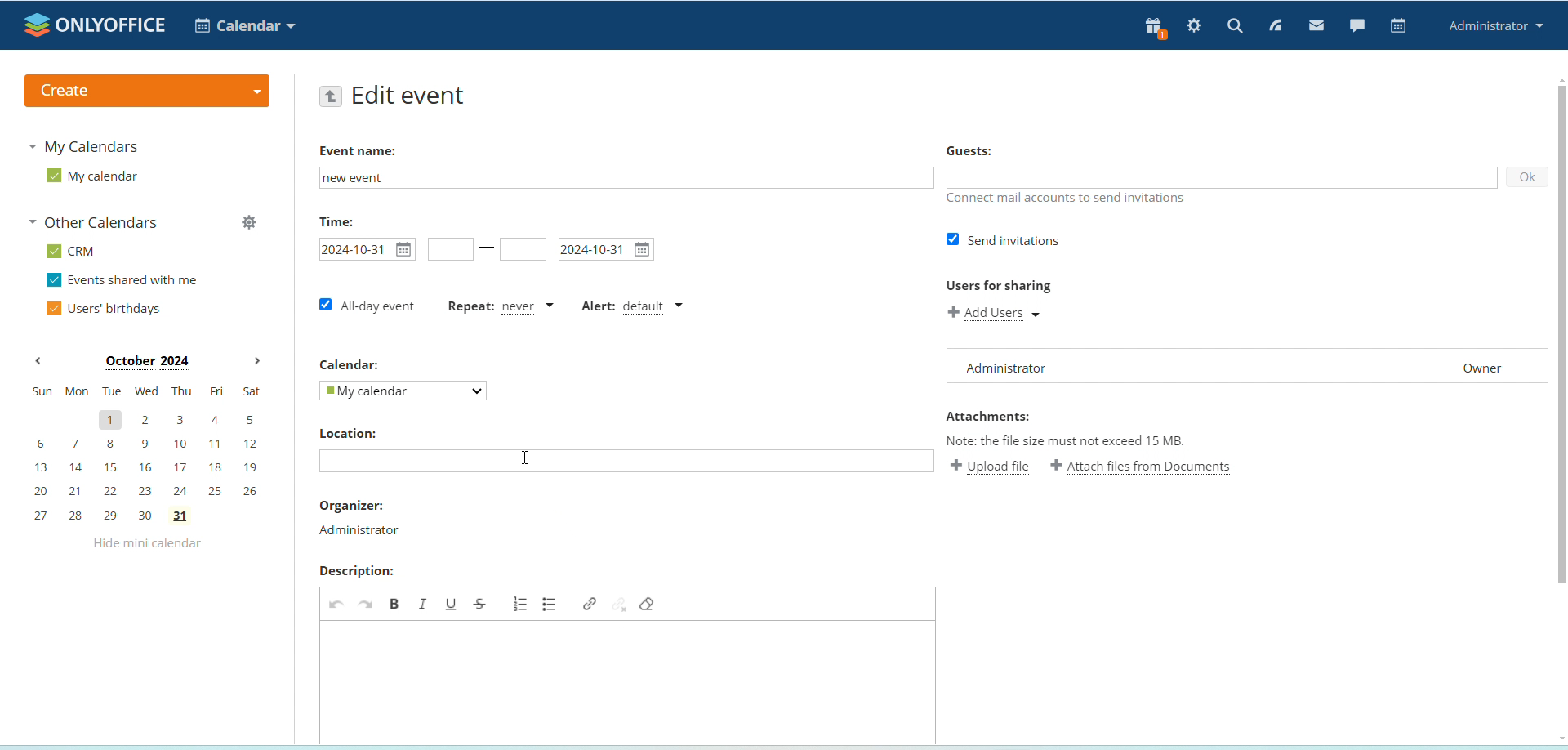 The height and width of the screenshot is (750, 1568). What do you see at coordinates (126, 281) in the screenshot?
I see `events shared with me` at bounding box center [126, 281].